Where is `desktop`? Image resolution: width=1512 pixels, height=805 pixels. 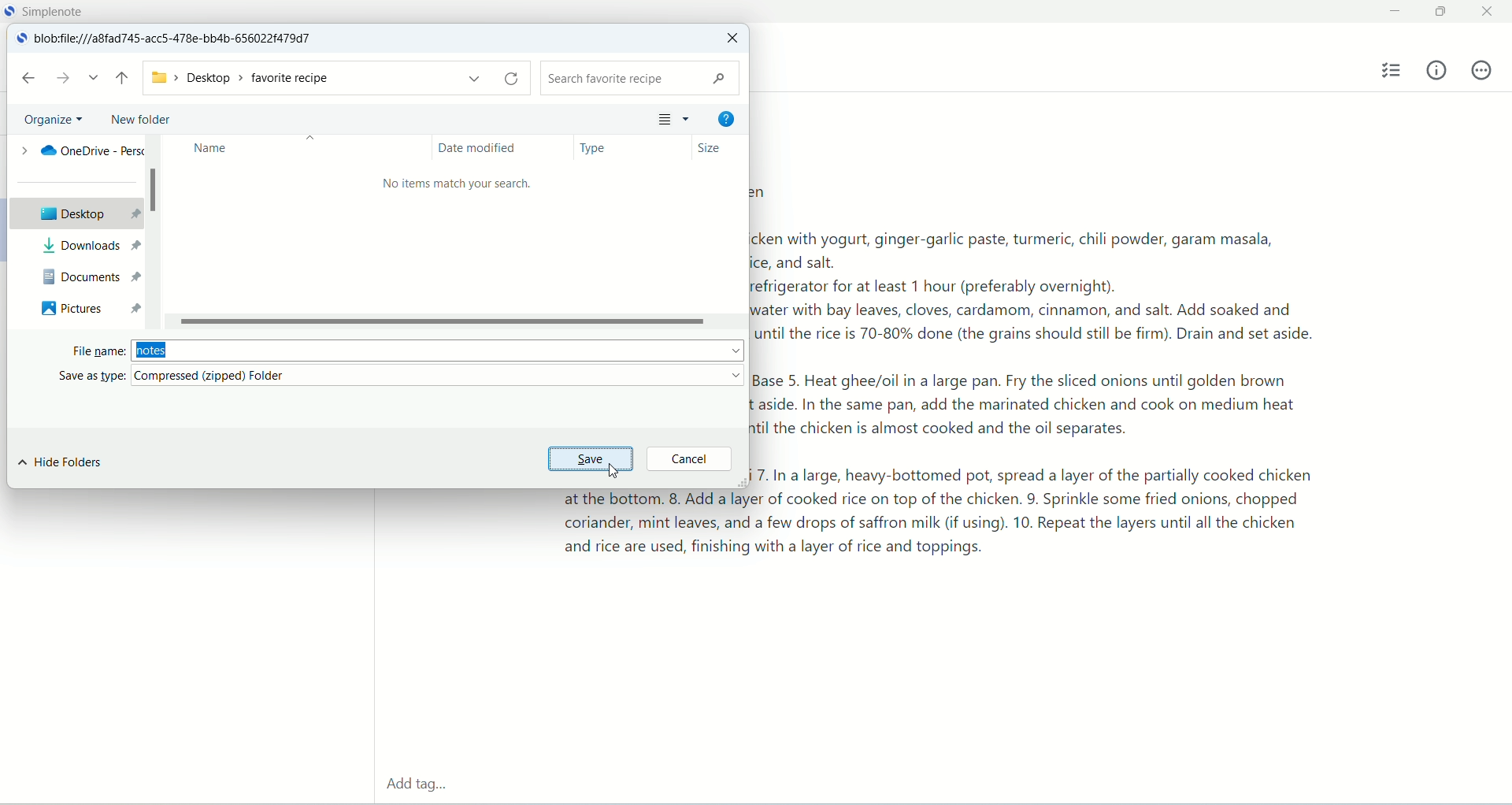 desktop is located at coordinates (74, 212).